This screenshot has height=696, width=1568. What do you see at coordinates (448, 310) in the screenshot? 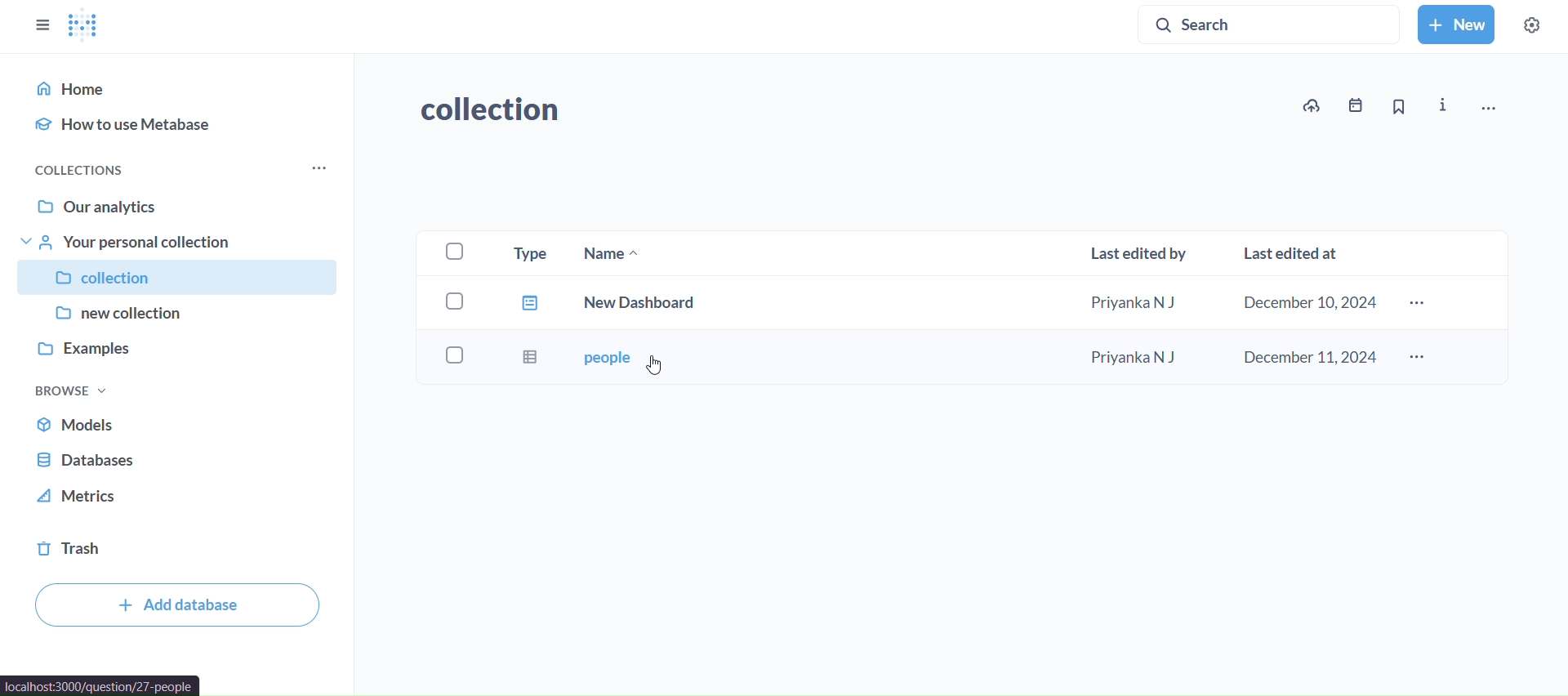
I see `checkboxes` at bounding box center [448, 310].